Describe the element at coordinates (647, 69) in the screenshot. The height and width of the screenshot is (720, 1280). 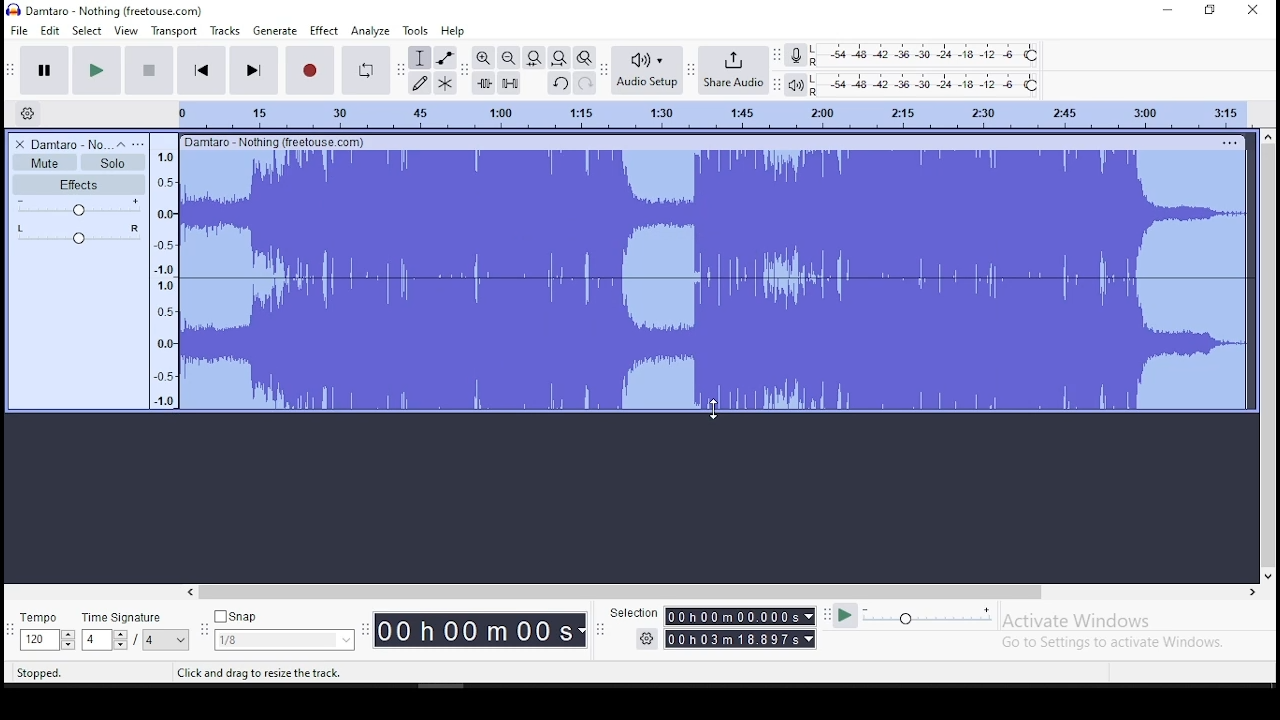
I see `audio setup` at that location.